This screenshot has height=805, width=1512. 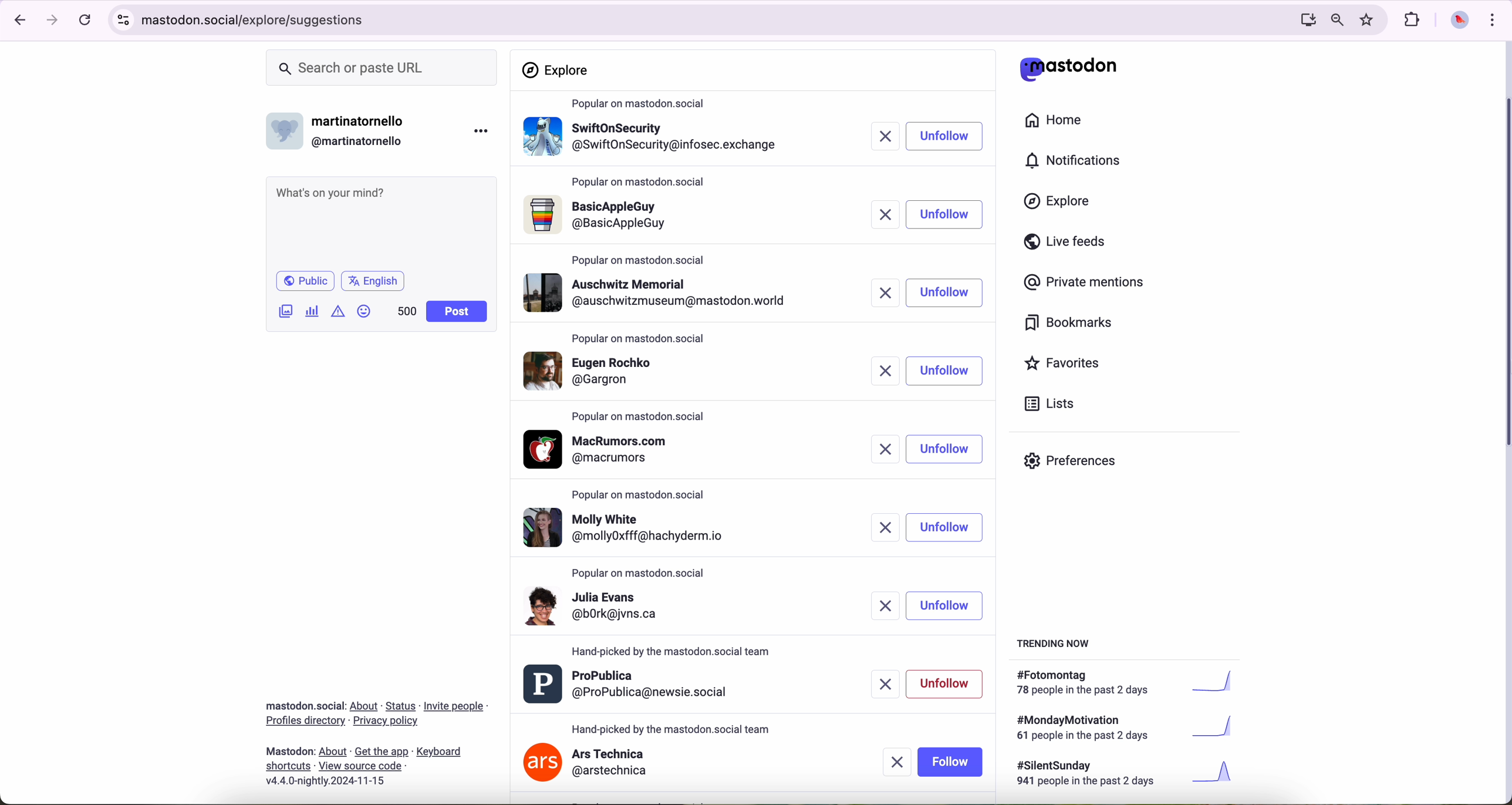 I want to click on popular on mastodon.social, so click(x=673, y=652).